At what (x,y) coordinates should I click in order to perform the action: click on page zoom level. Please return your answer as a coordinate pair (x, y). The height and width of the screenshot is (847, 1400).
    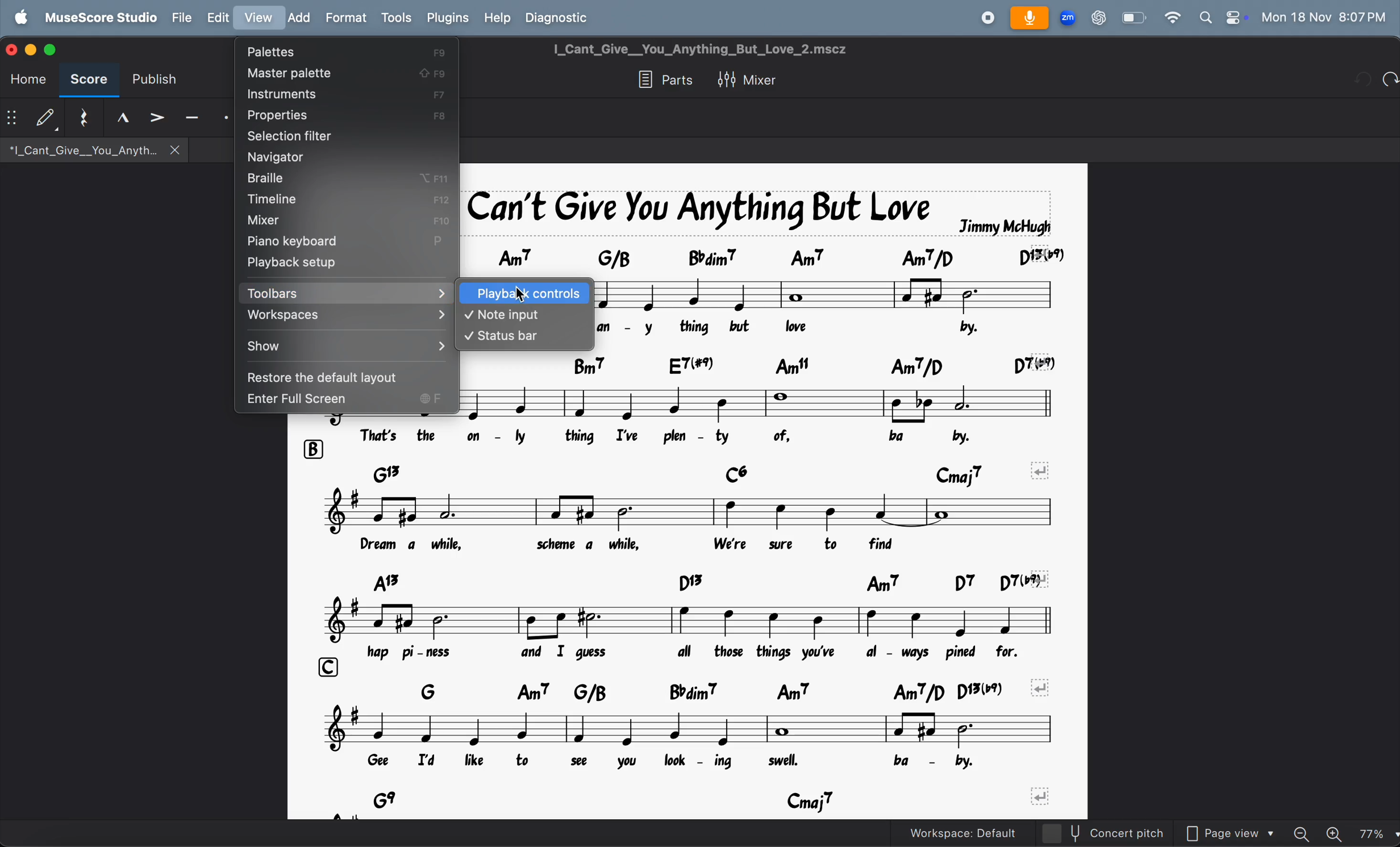
    Looking at the image, I should click on (1377, 834).